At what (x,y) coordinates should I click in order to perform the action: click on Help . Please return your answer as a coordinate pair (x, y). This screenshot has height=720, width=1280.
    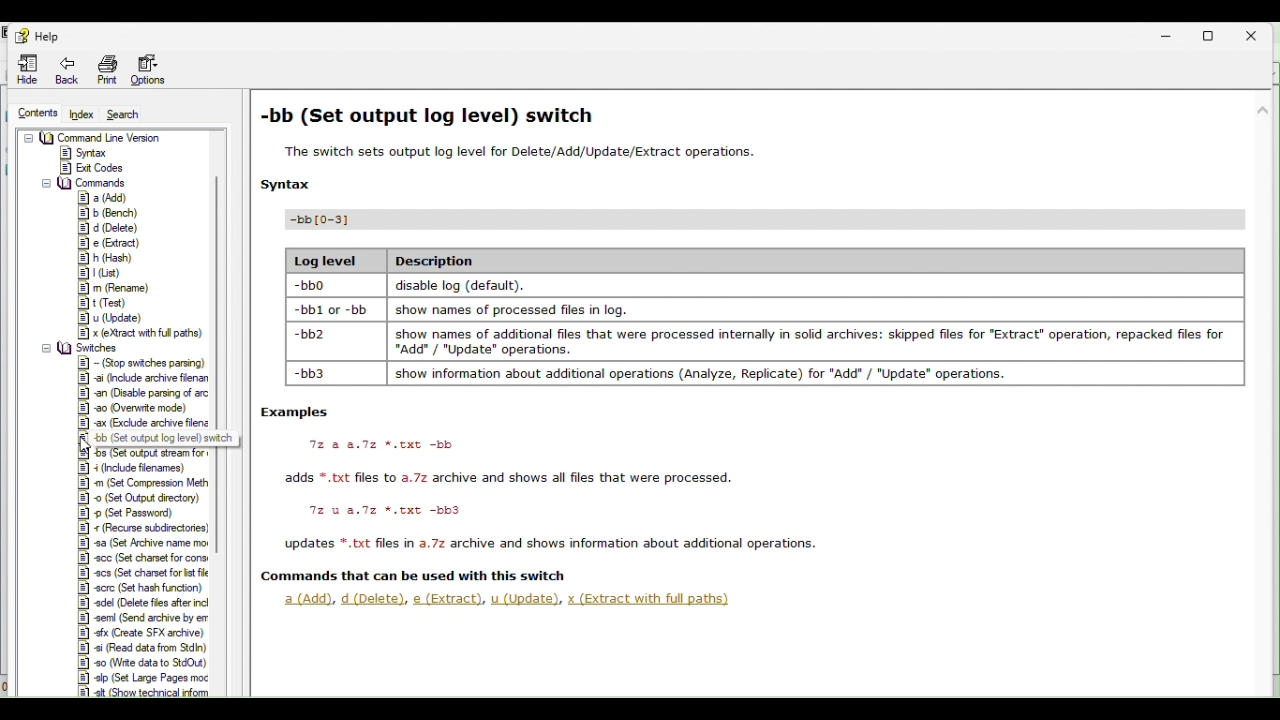
    Looking at the image, I should click on (34, 32).